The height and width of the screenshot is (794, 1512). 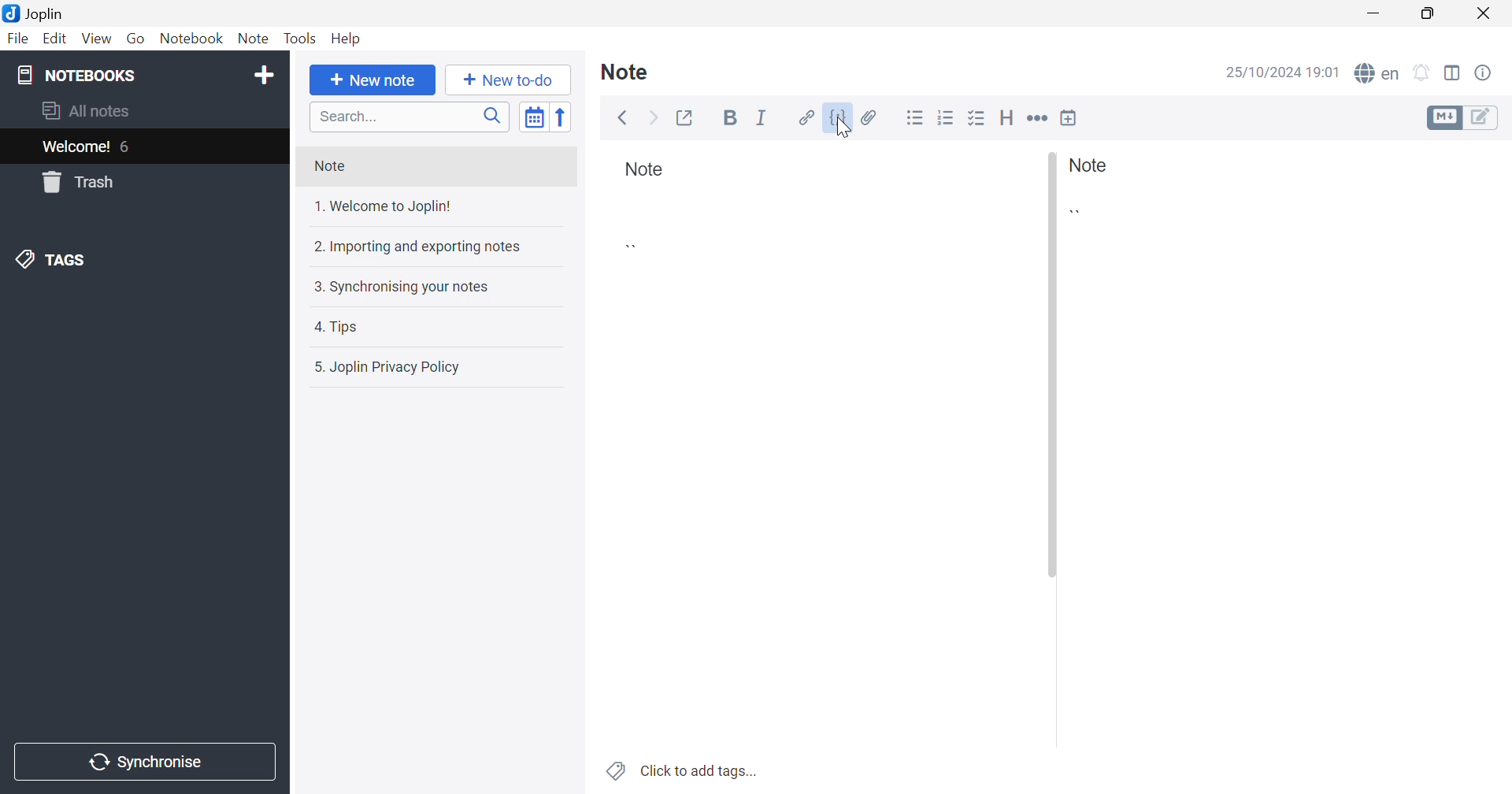 What do you see at coordinates (419, 247) in the screenshot?
I see `2. Importing and exporting notes` at bounding box center [419, 247].